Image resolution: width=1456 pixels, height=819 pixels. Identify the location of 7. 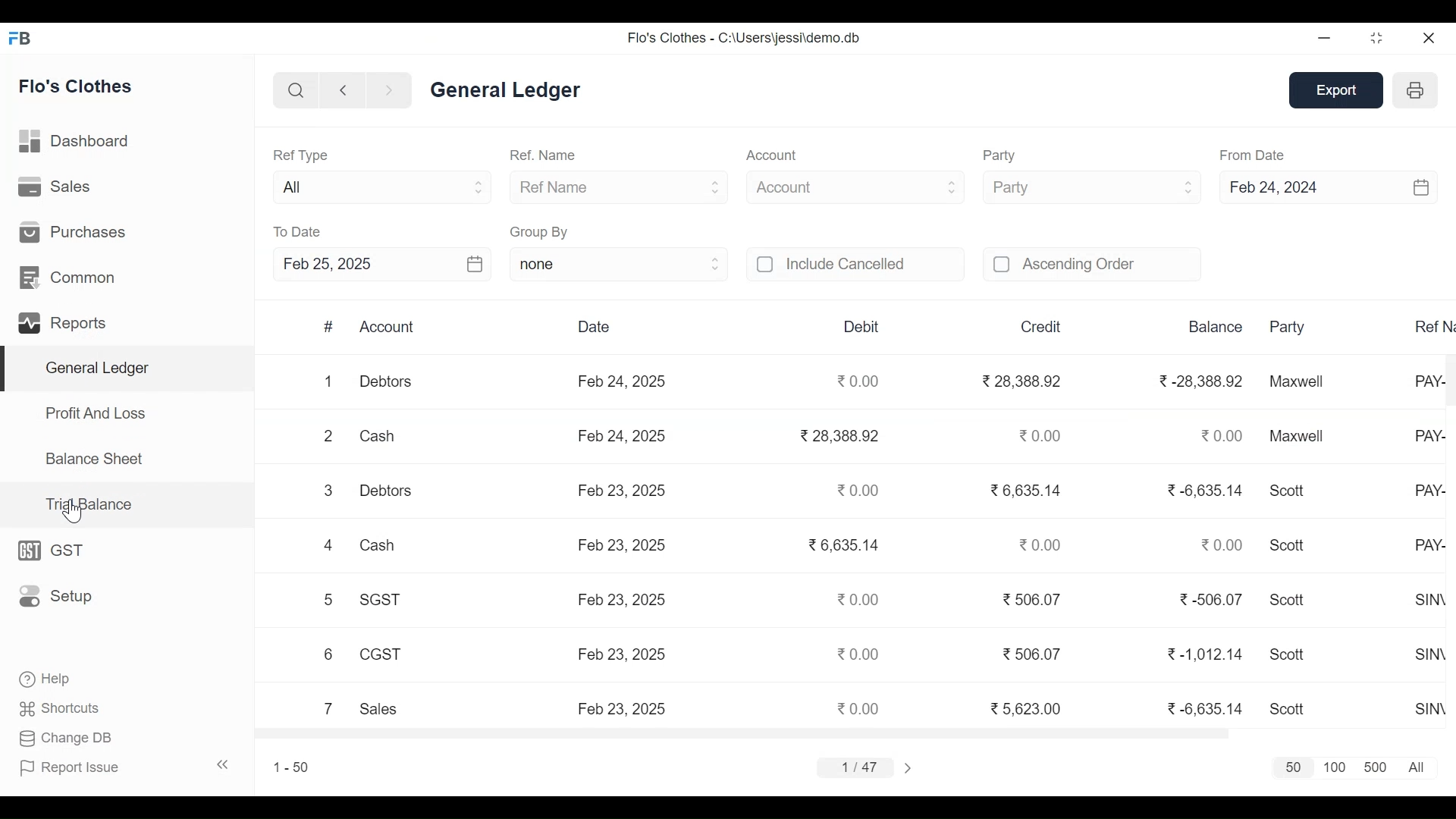
(328, 708).